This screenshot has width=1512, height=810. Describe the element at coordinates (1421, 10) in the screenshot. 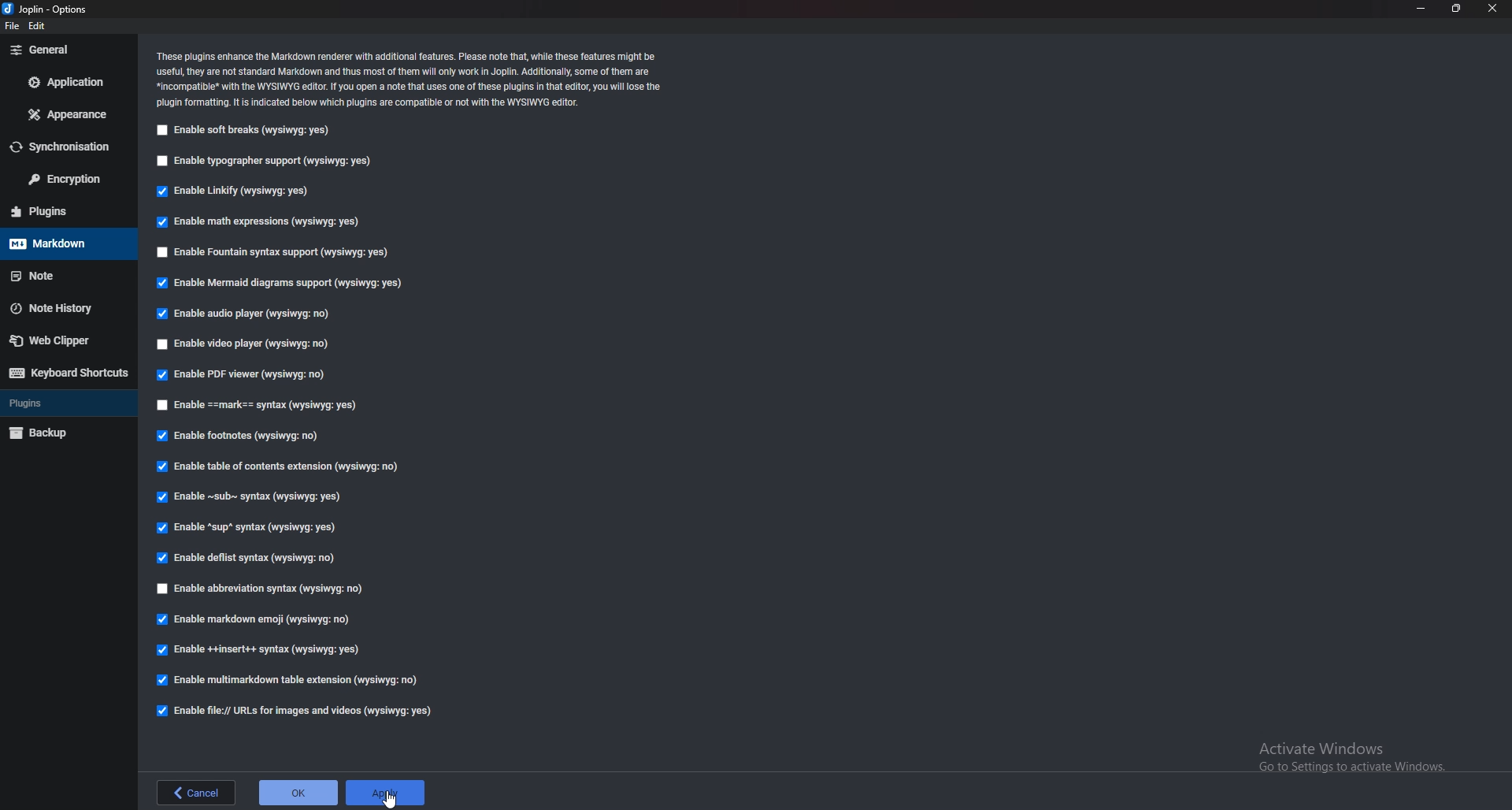

I see `Minimize` at that location.